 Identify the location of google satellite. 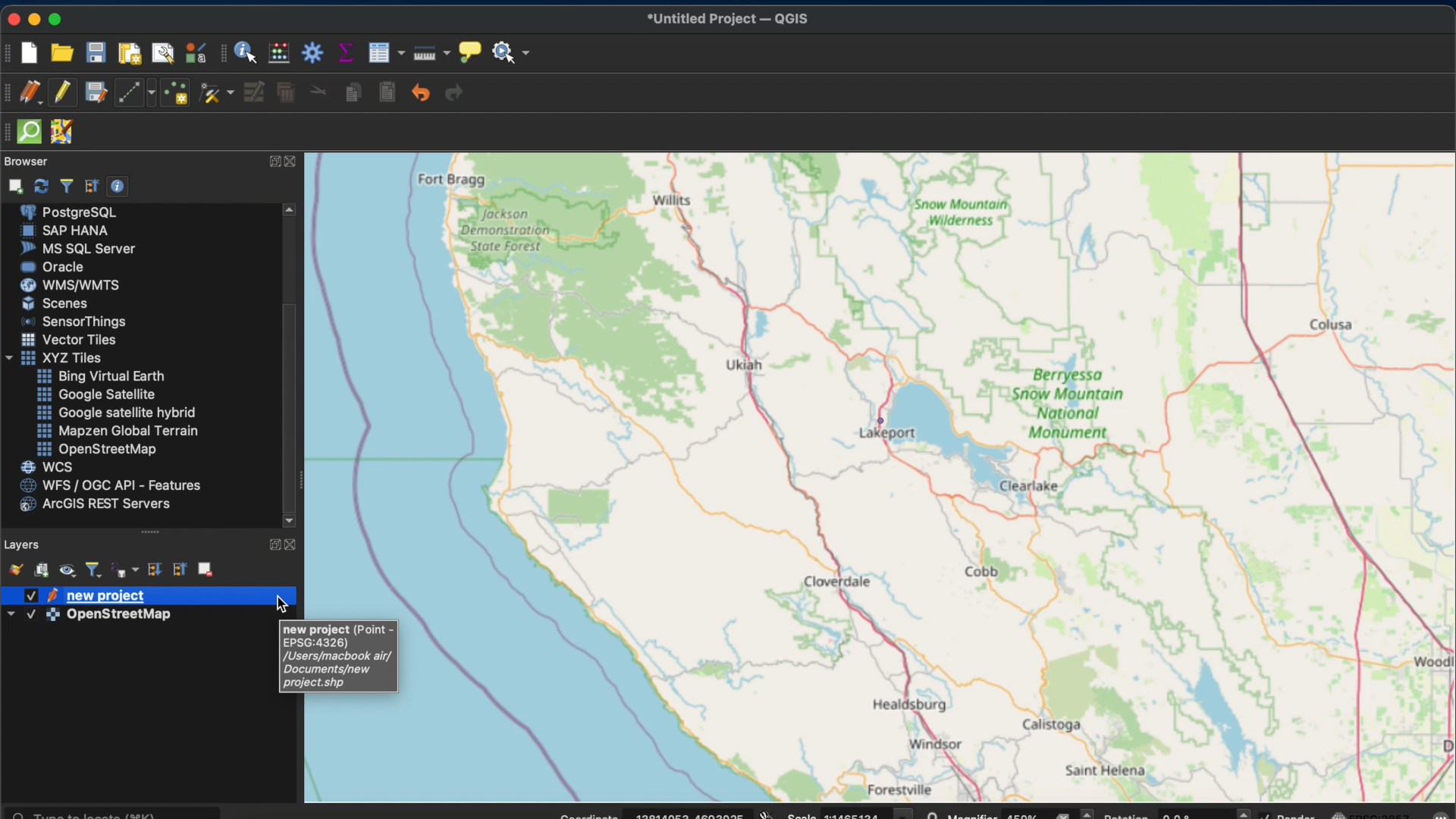
(95, 395).